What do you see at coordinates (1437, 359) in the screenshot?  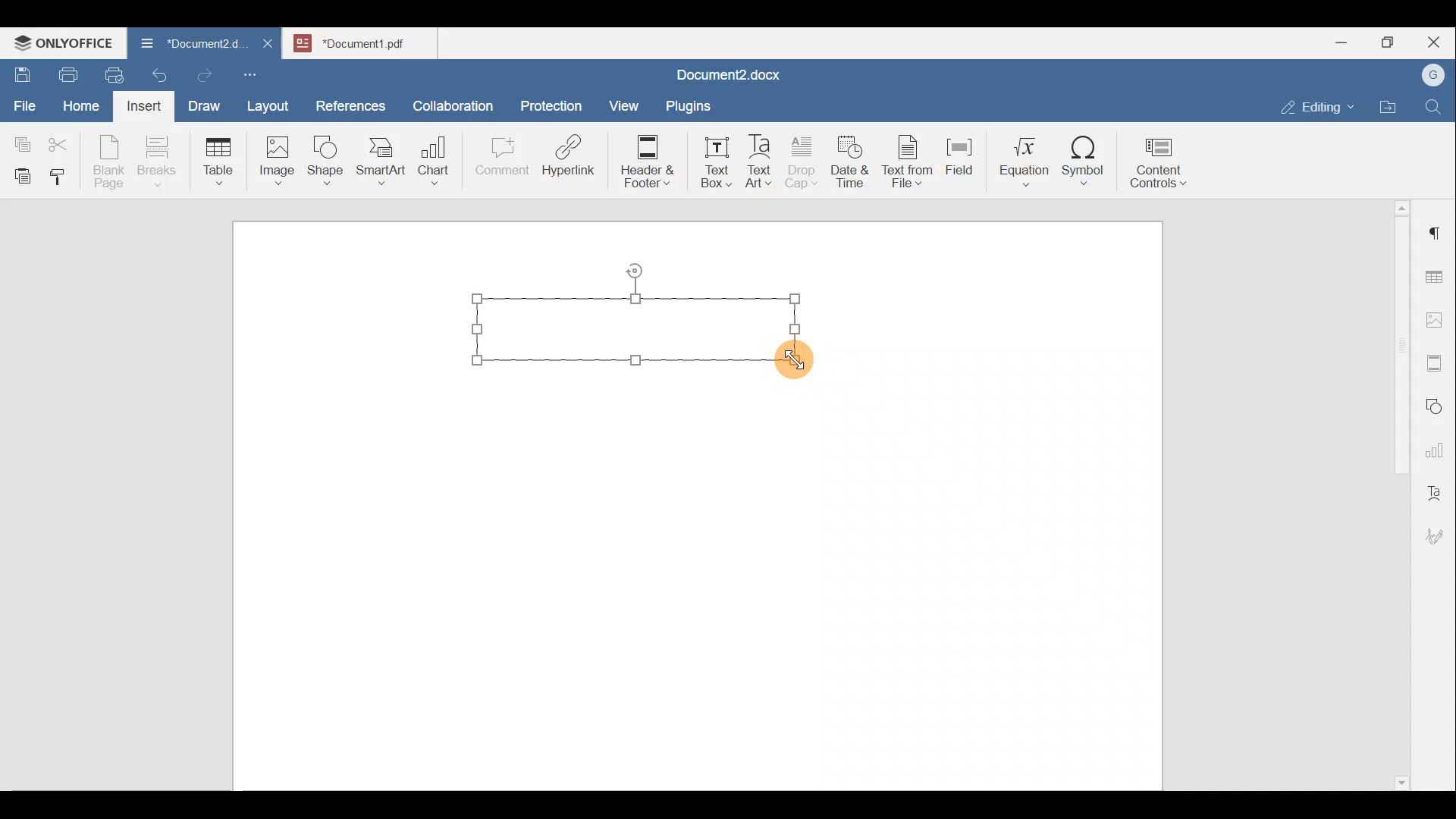 I see `Headers & footers` at bounding box center [1437, 359].